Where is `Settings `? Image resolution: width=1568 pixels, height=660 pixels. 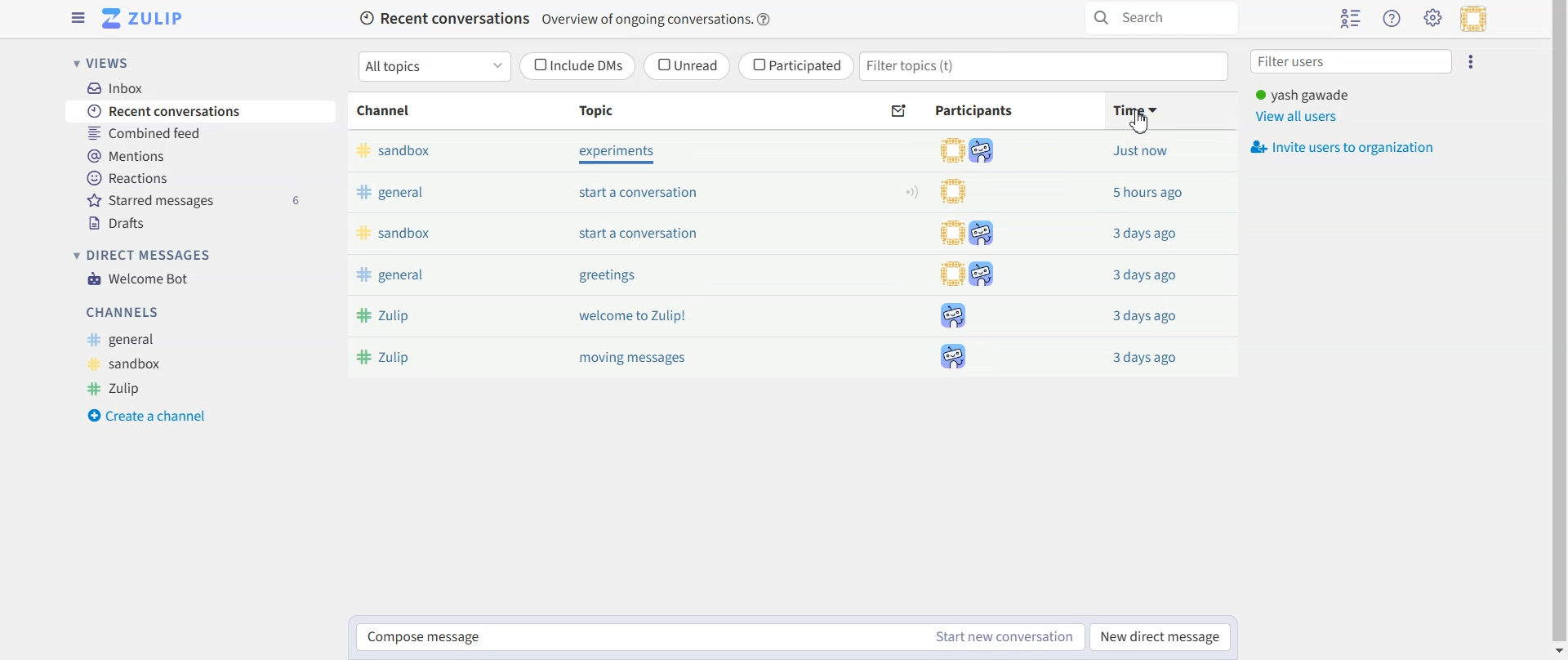 Settings  is located at coordinates (1433, 17).